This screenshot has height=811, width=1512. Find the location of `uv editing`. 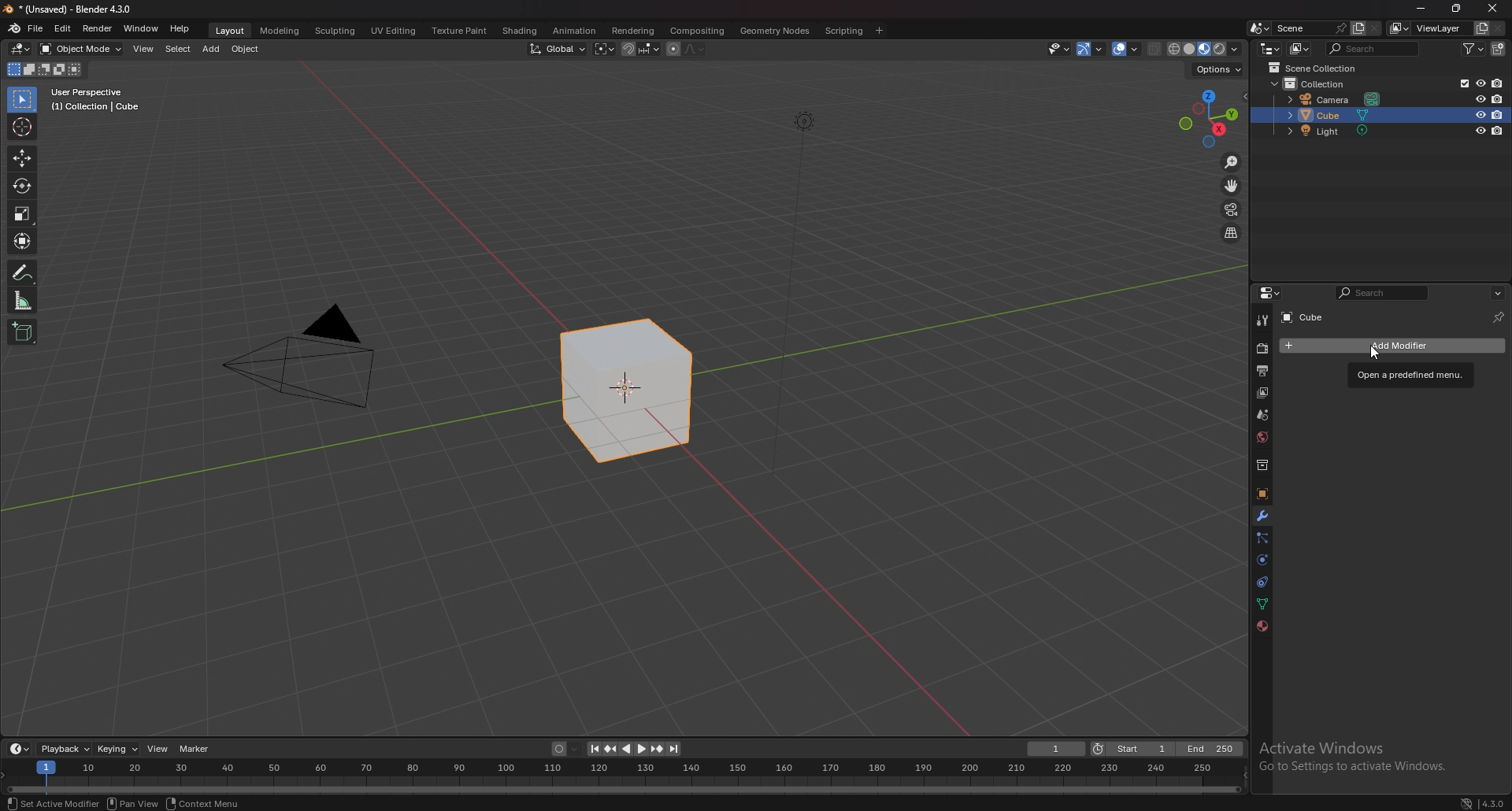

uv editing is located at coordinates (392, 30).